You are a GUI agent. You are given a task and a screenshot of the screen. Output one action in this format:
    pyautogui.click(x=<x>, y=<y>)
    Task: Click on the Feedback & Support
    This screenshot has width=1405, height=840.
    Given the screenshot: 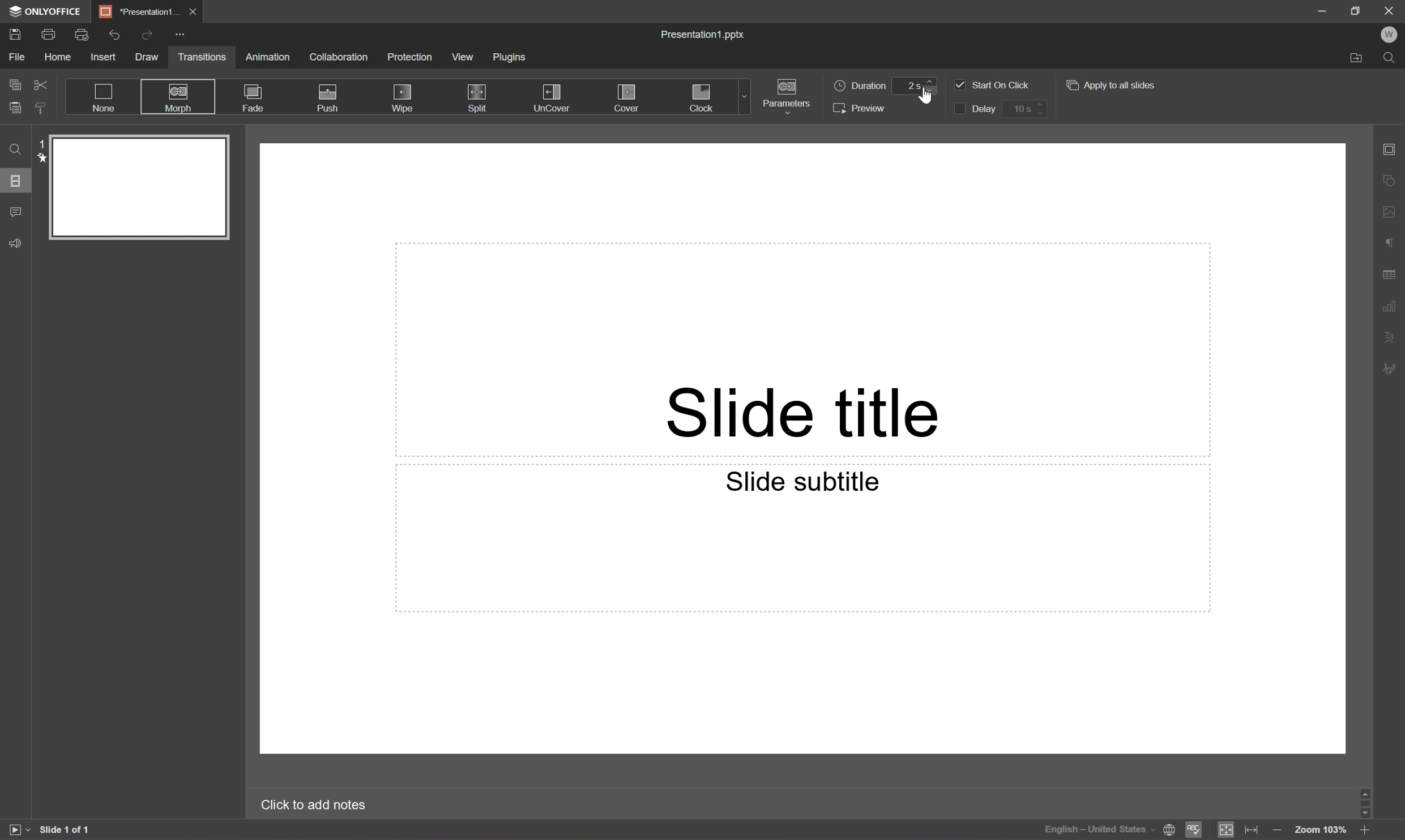 What is the action you would take?
    pyautogui.click(x=17, y=245)
    